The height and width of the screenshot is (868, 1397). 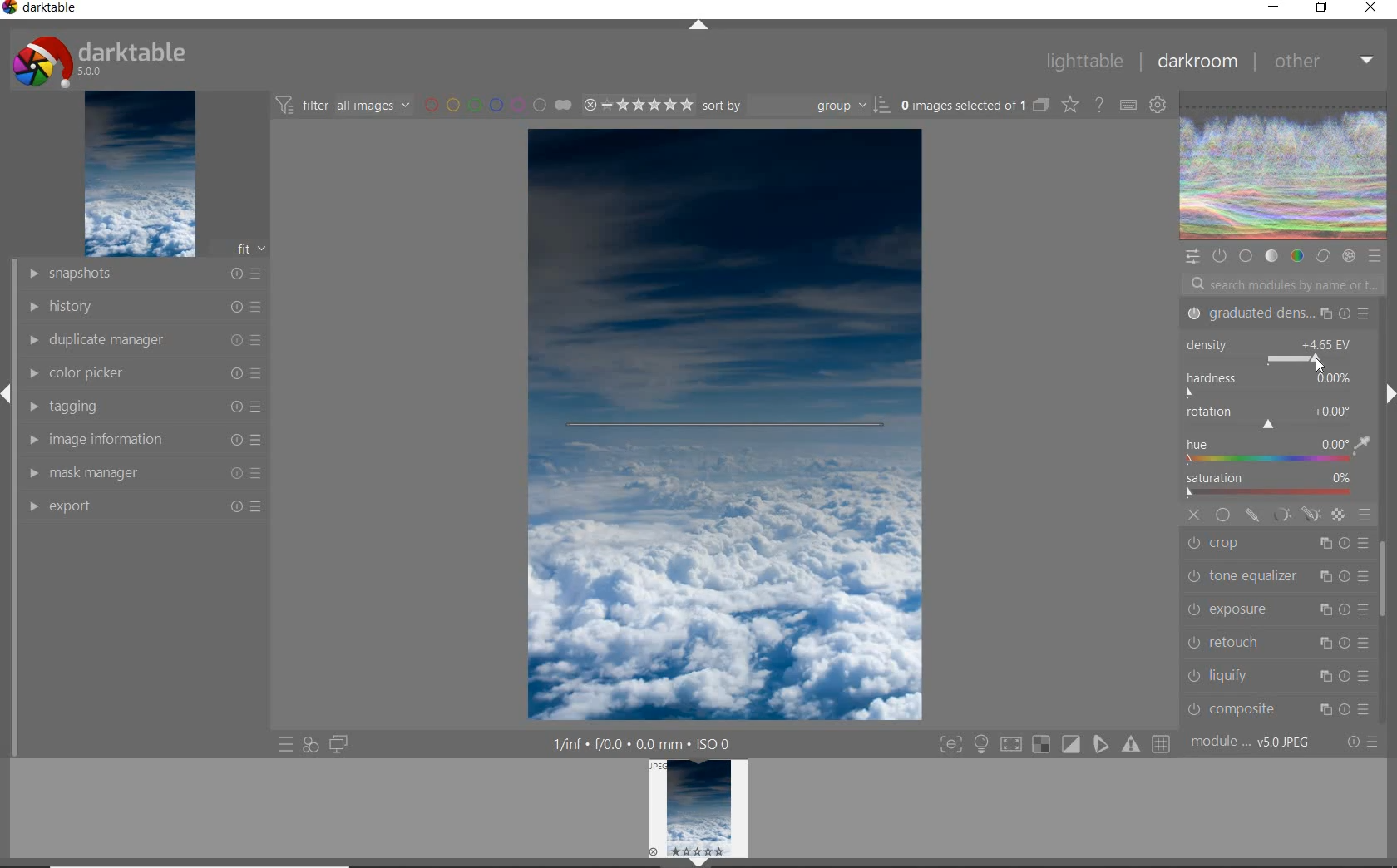 I want to click on SHOW ONLY ACTIVE MODULES, so click(x=1220, y=255).